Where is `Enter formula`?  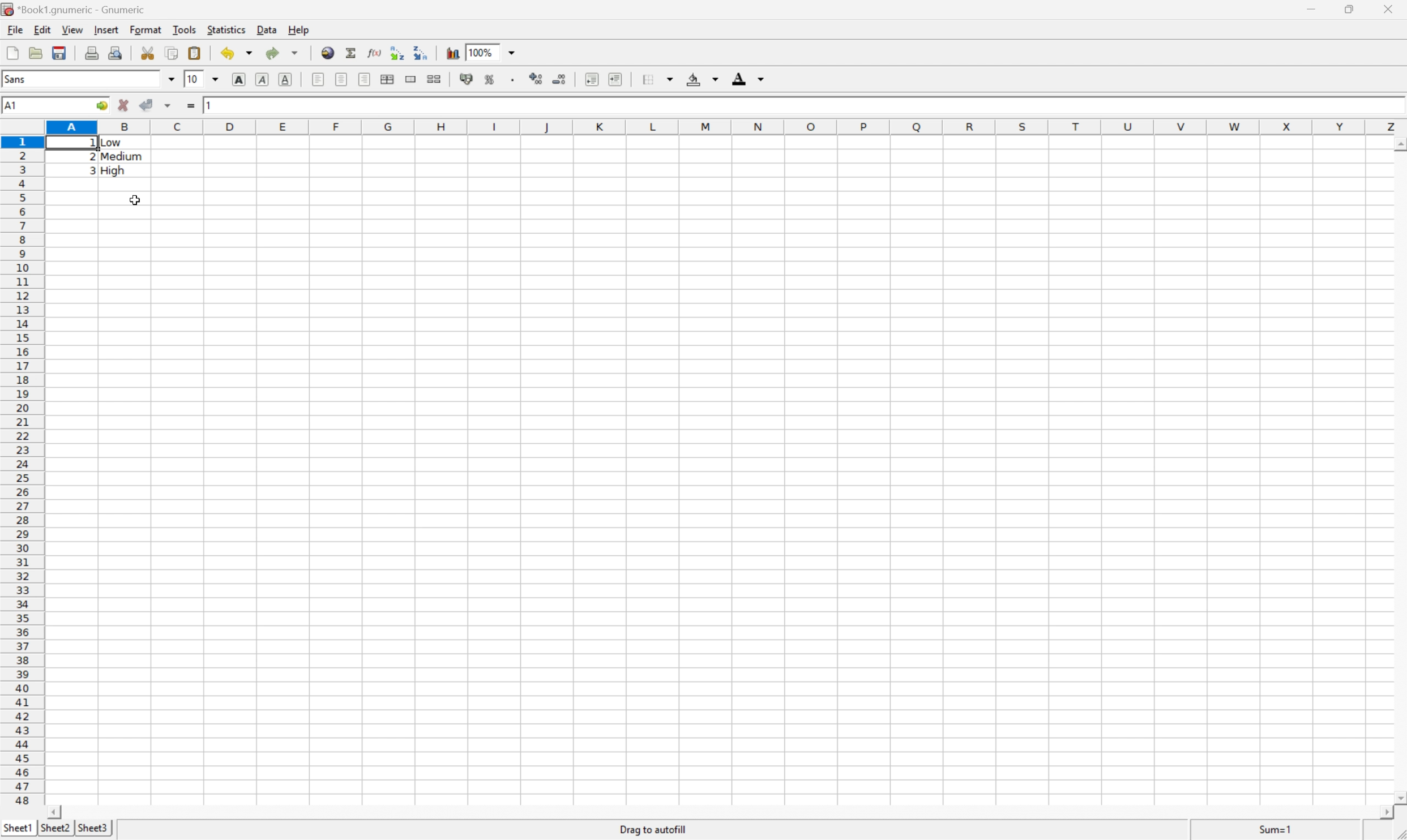 Enter formula is located at coordinates (190, 106).